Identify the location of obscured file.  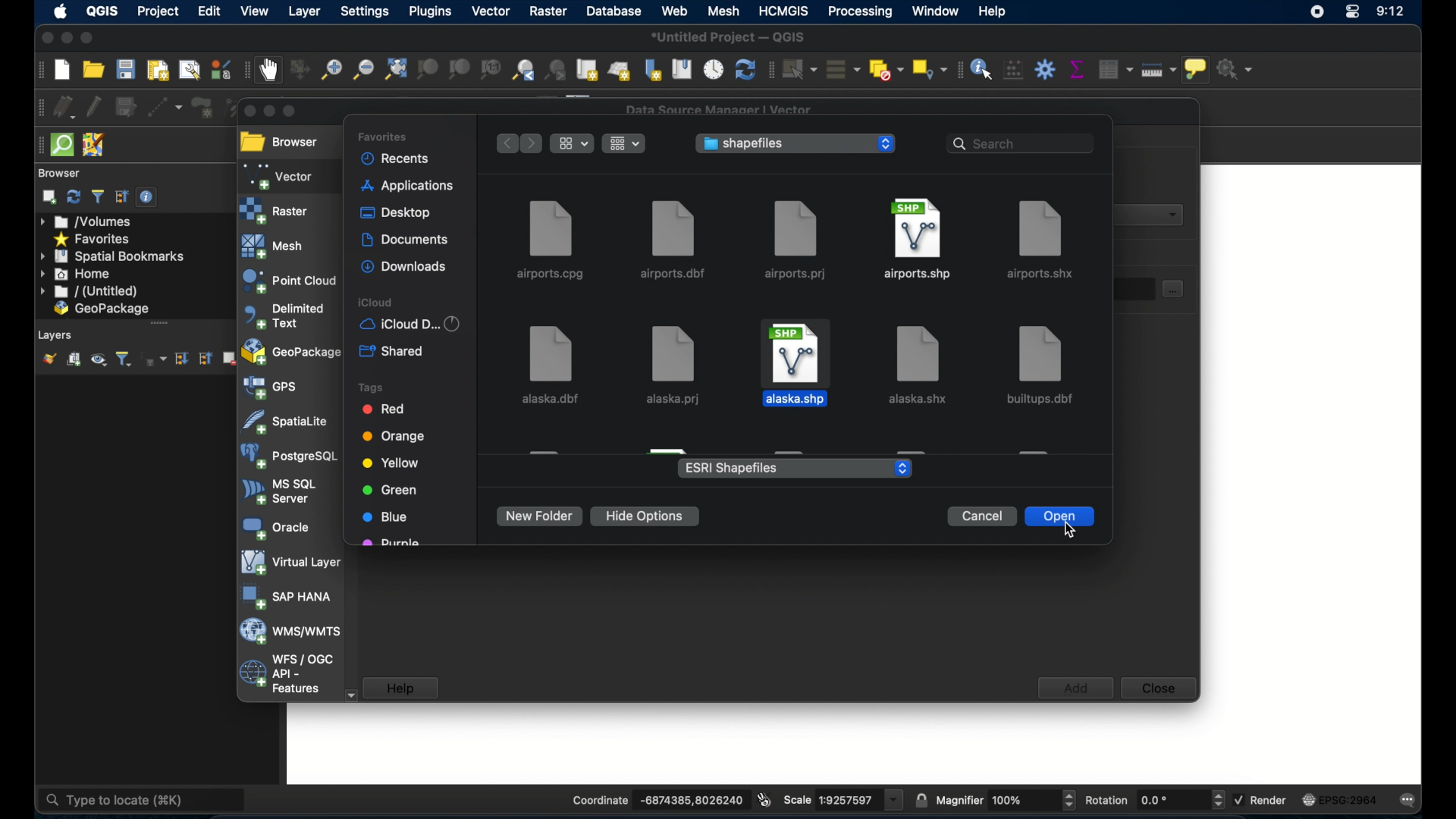
(544, 453).